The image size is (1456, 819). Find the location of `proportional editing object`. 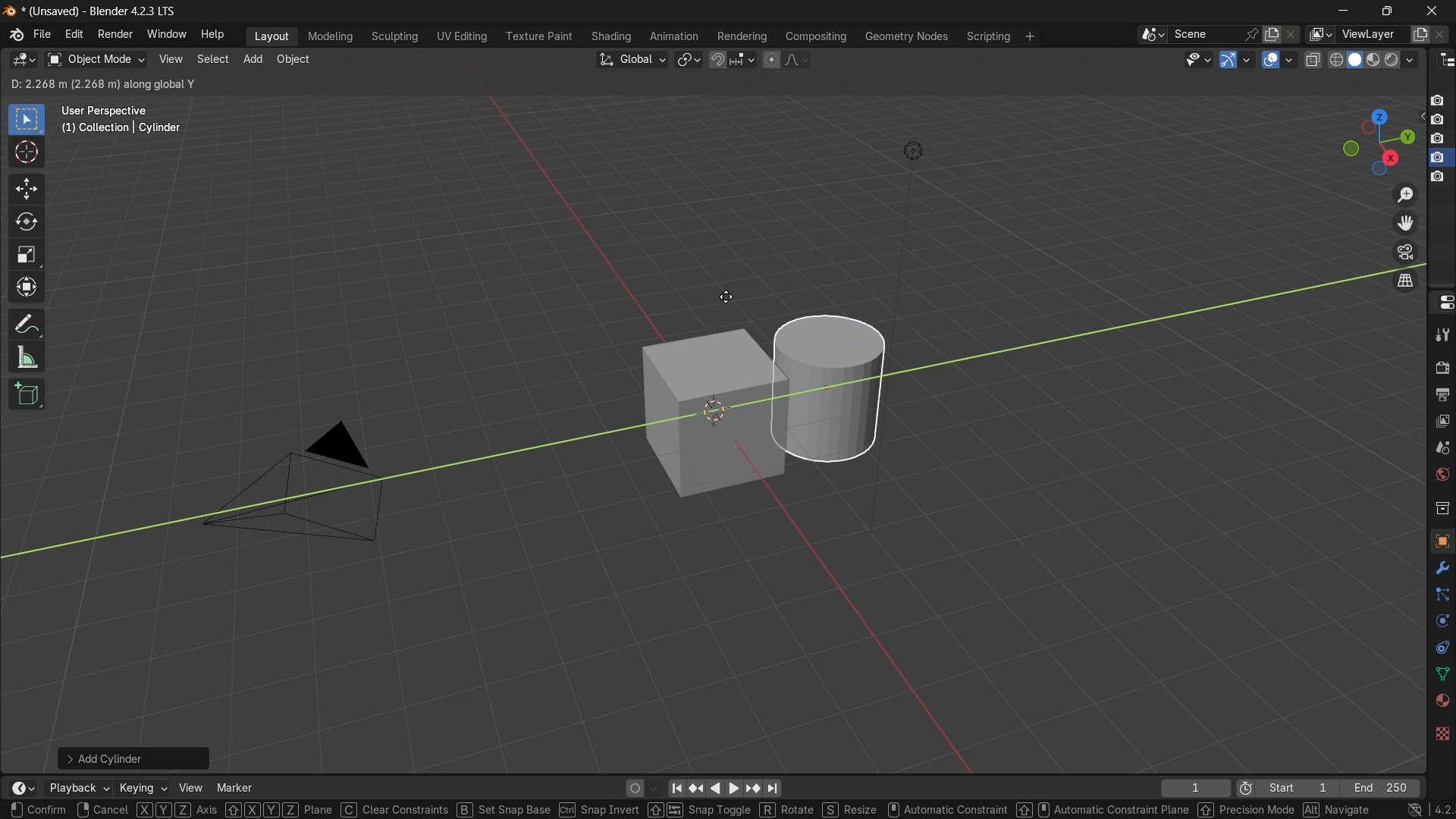

proportional editing object is located at coordinates (771, 60).